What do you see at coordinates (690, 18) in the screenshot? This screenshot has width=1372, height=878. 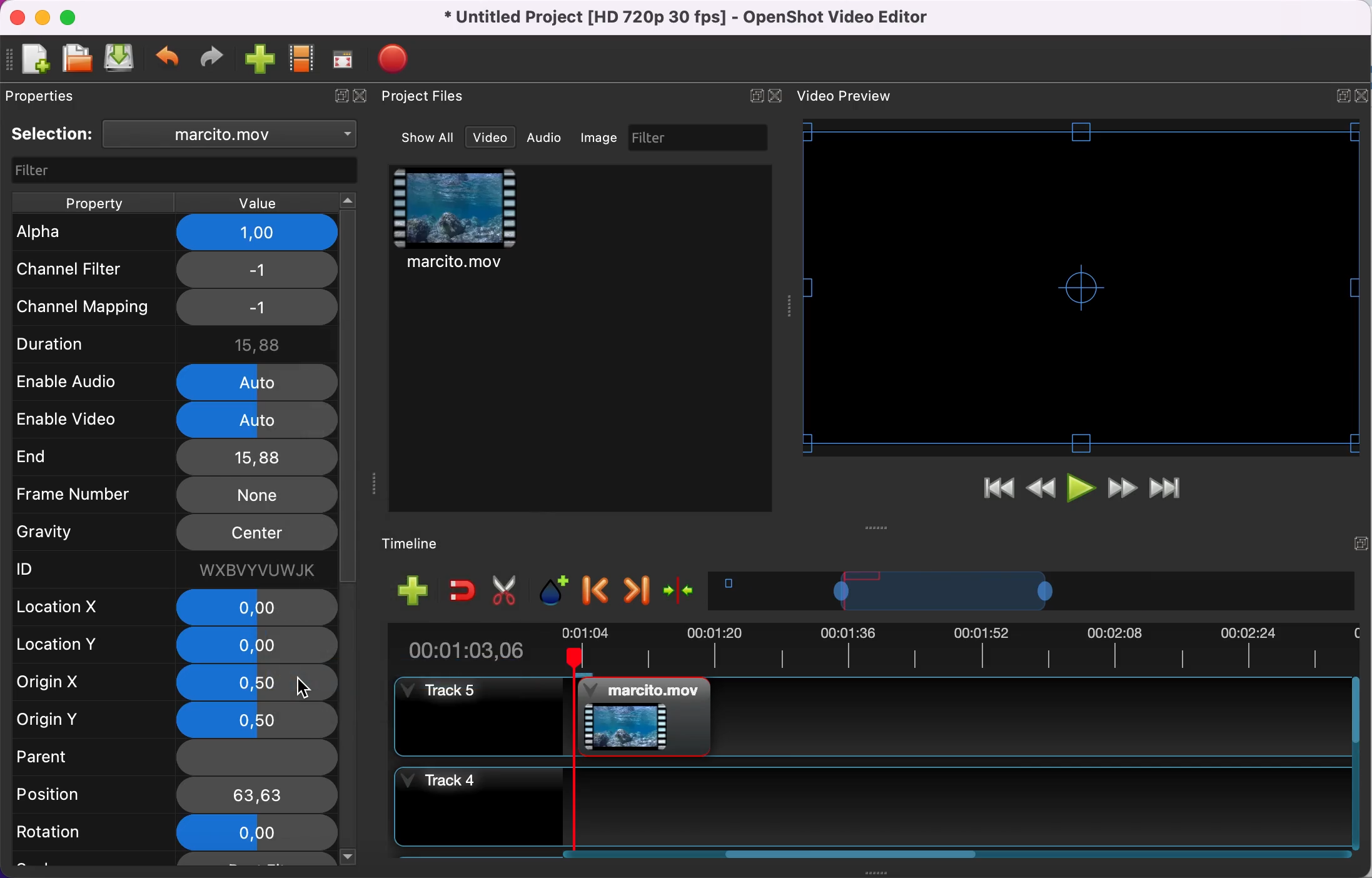 I see `title` at bounding box center [690, 18].